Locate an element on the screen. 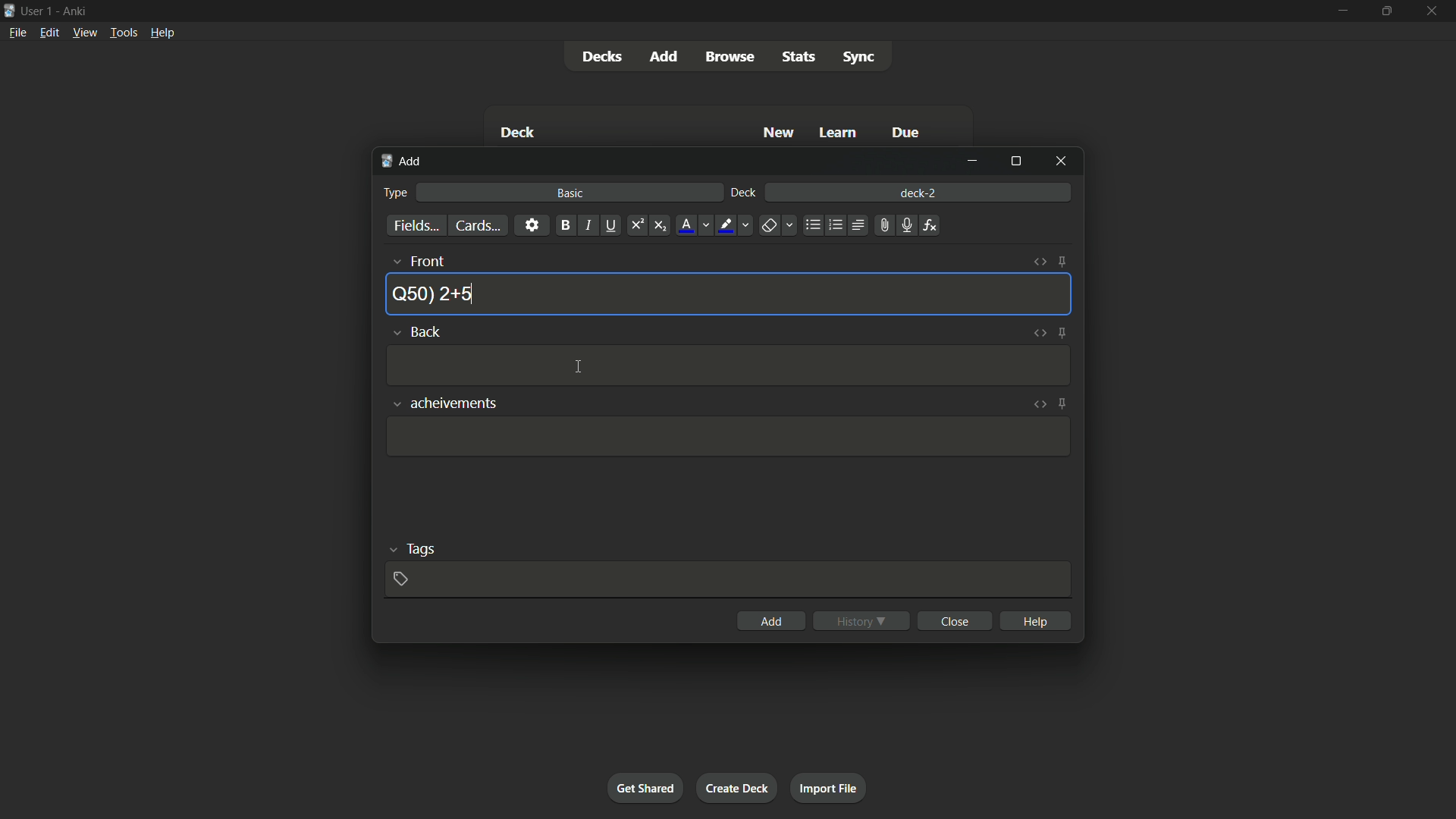  help menu is located at coordinates (164, 32).